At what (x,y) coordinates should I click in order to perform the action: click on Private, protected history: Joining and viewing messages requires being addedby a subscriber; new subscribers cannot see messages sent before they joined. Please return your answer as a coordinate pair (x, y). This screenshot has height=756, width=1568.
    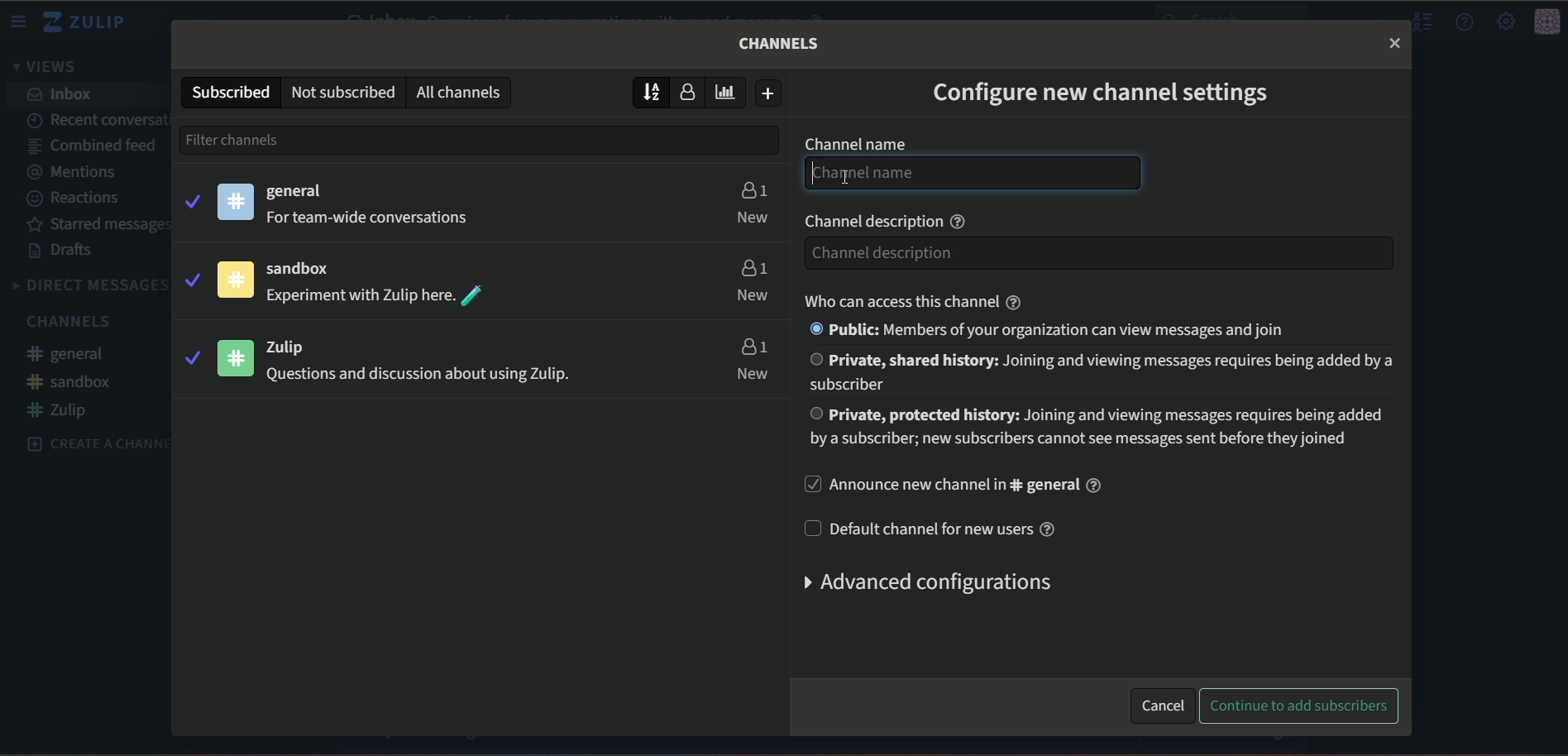
    Looking at the image, I should click on (1096, 428).